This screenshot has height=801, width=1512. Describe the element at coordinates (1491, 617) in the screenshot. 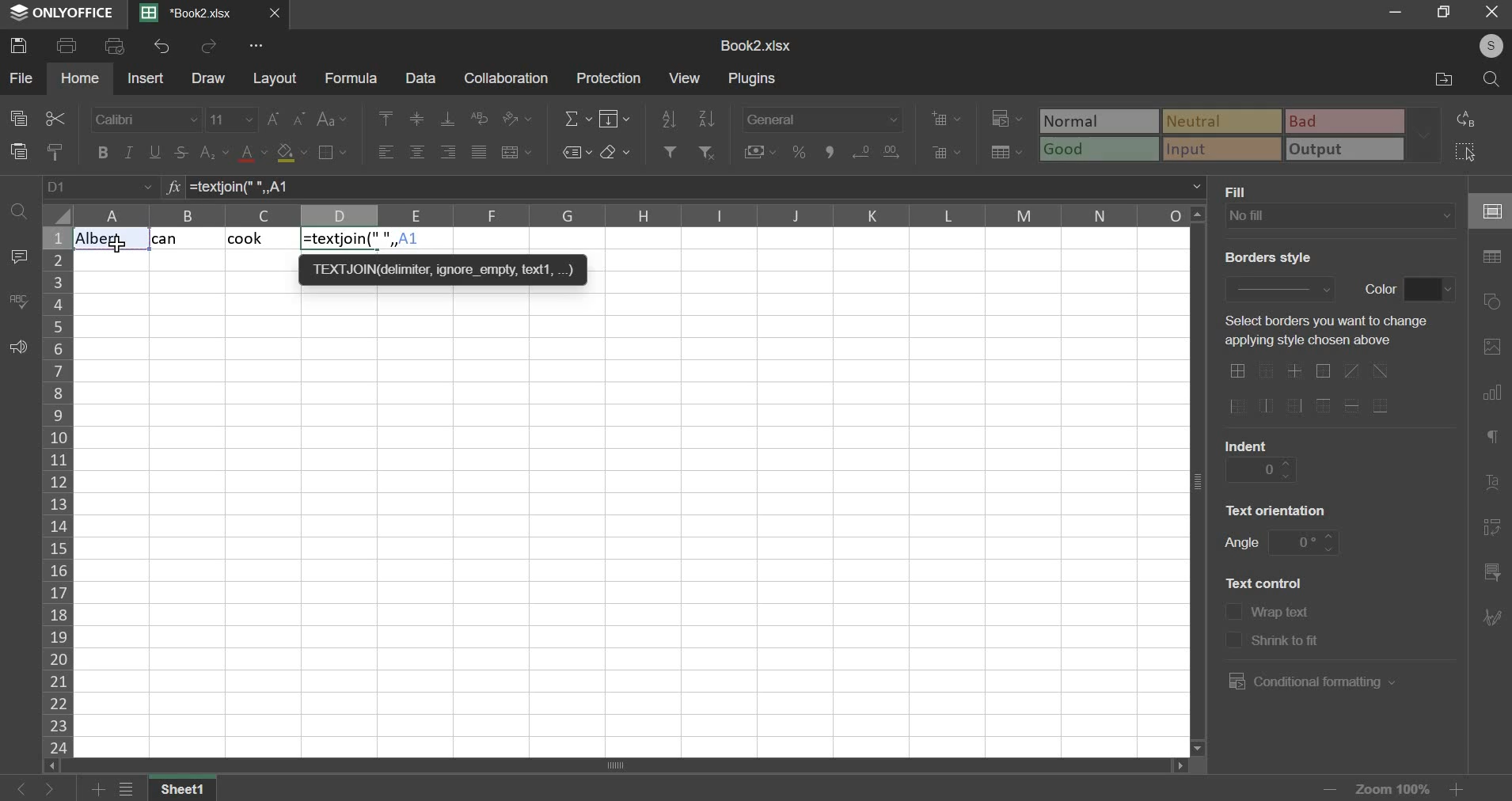

I see `signature` at that location.